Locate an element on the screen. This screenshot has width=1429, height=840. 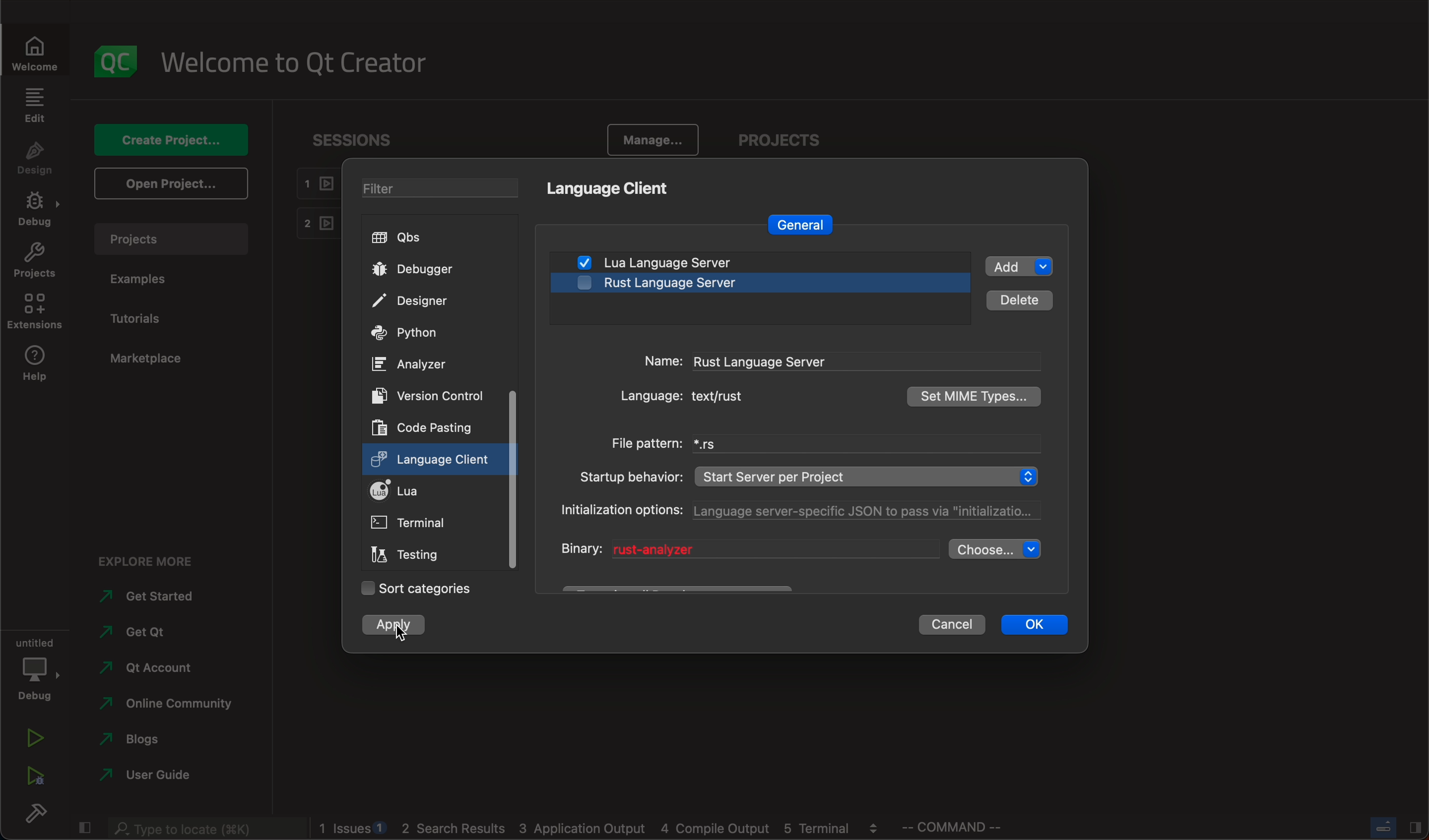
debugger is located at coordinates (414, 272).